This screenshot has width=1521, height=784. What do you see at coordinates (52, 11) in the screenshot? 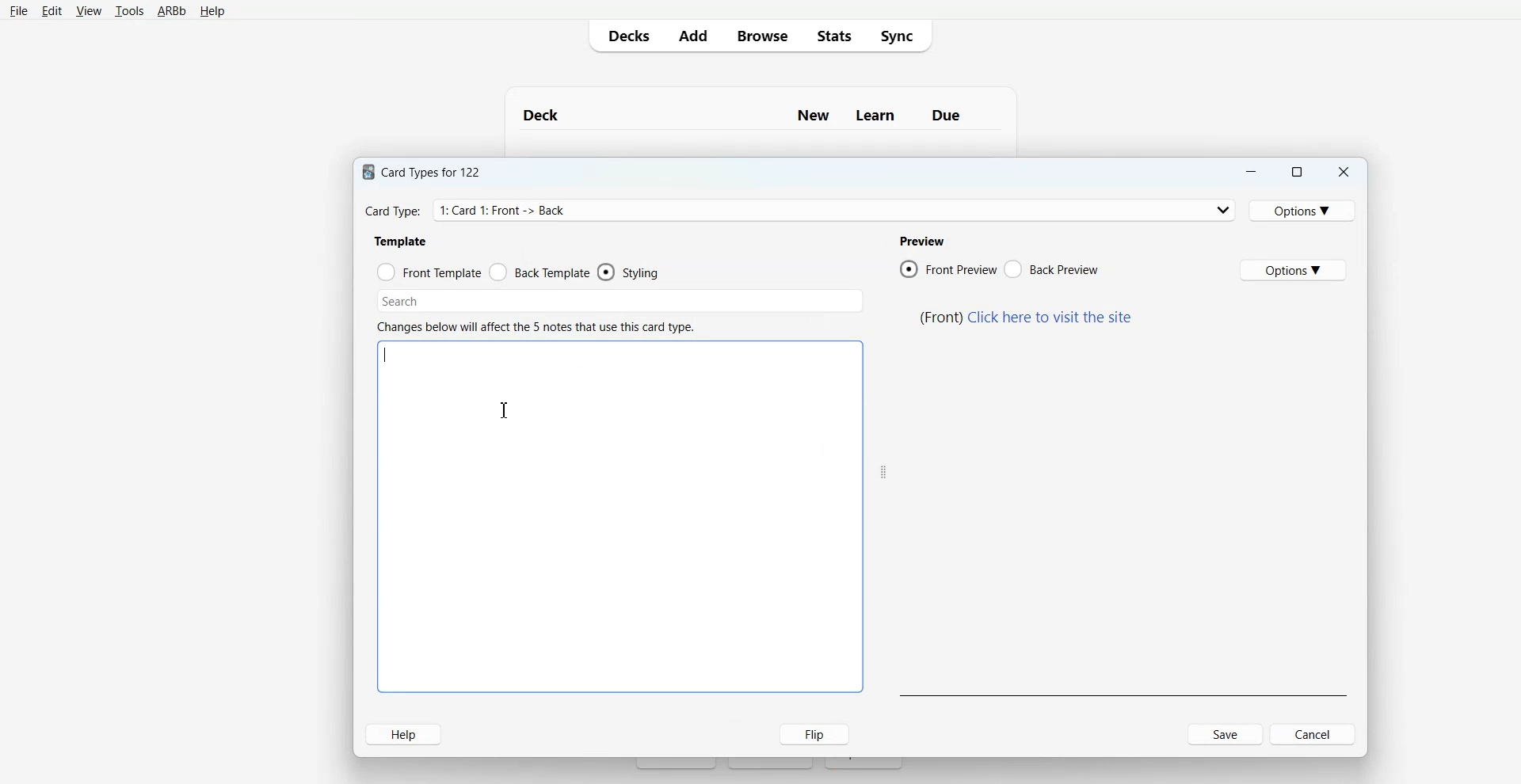
I see `Edit` at bounding box center [52, 11].